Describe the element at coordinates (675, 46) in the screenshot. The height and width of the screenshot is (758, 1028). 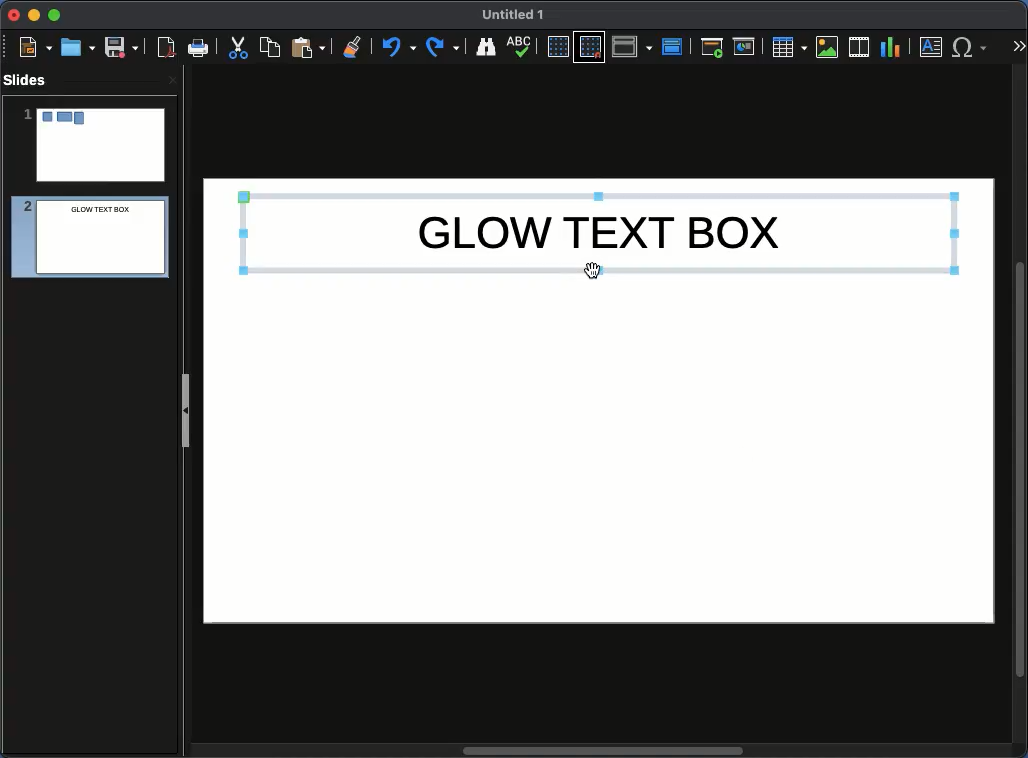
I see `Master slide` at that location.